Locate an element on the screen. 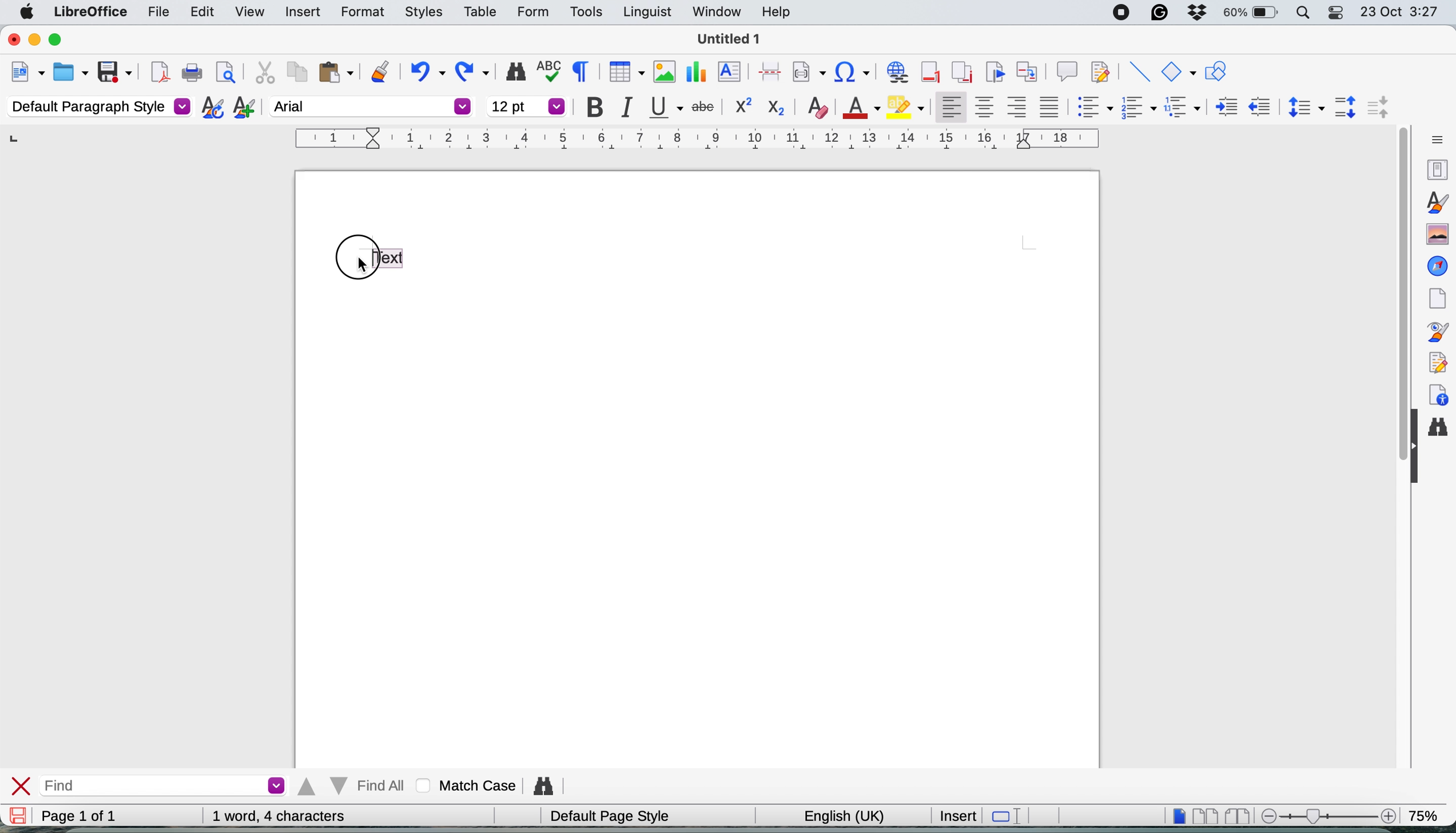 This screenshot has height=833, width=1456. strikethrough is located at coordinates (704, 108).